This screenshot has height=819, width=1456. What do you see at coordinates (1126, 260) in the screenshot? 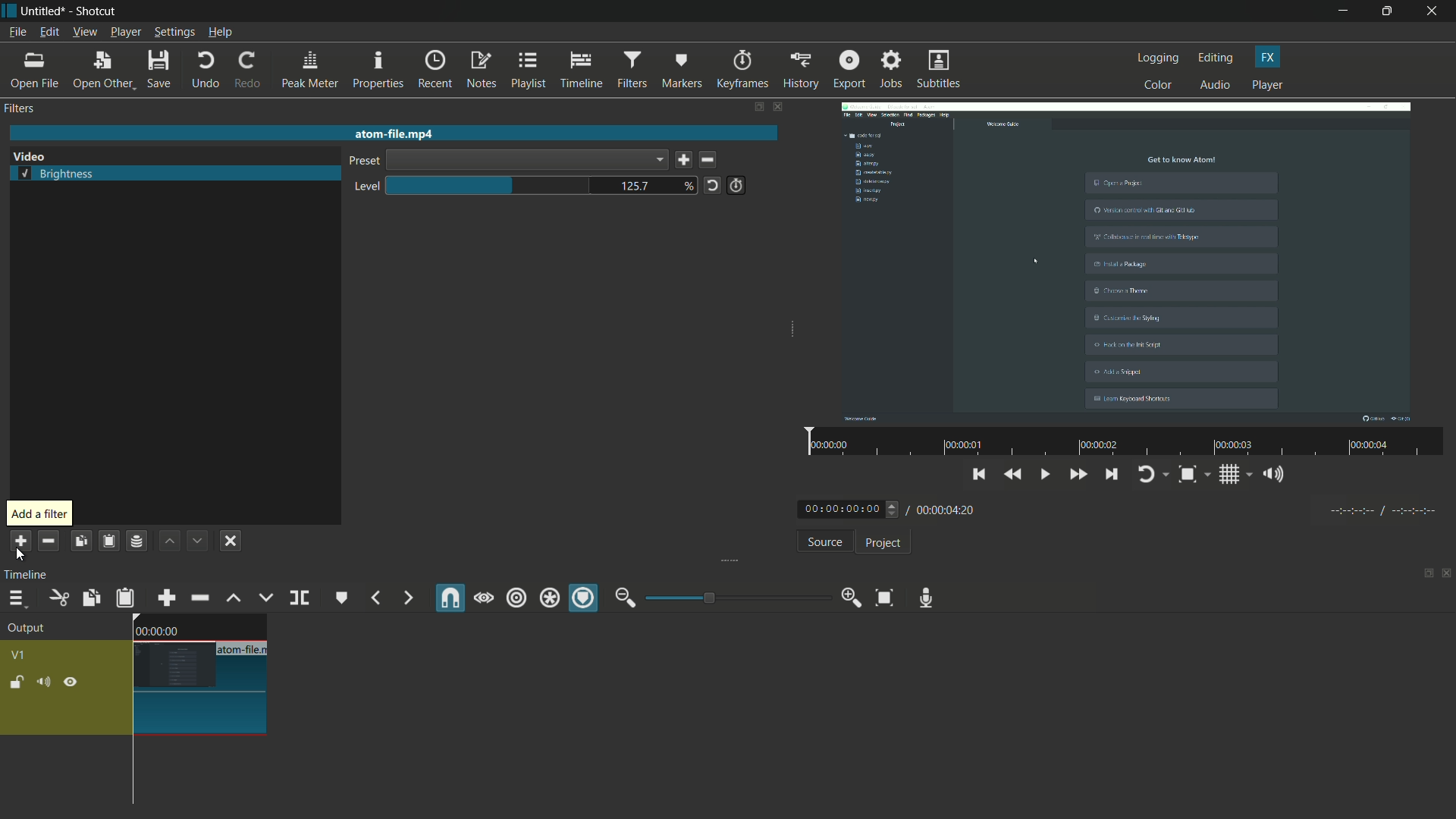
I see `video` at bounding box center [1126, 260].